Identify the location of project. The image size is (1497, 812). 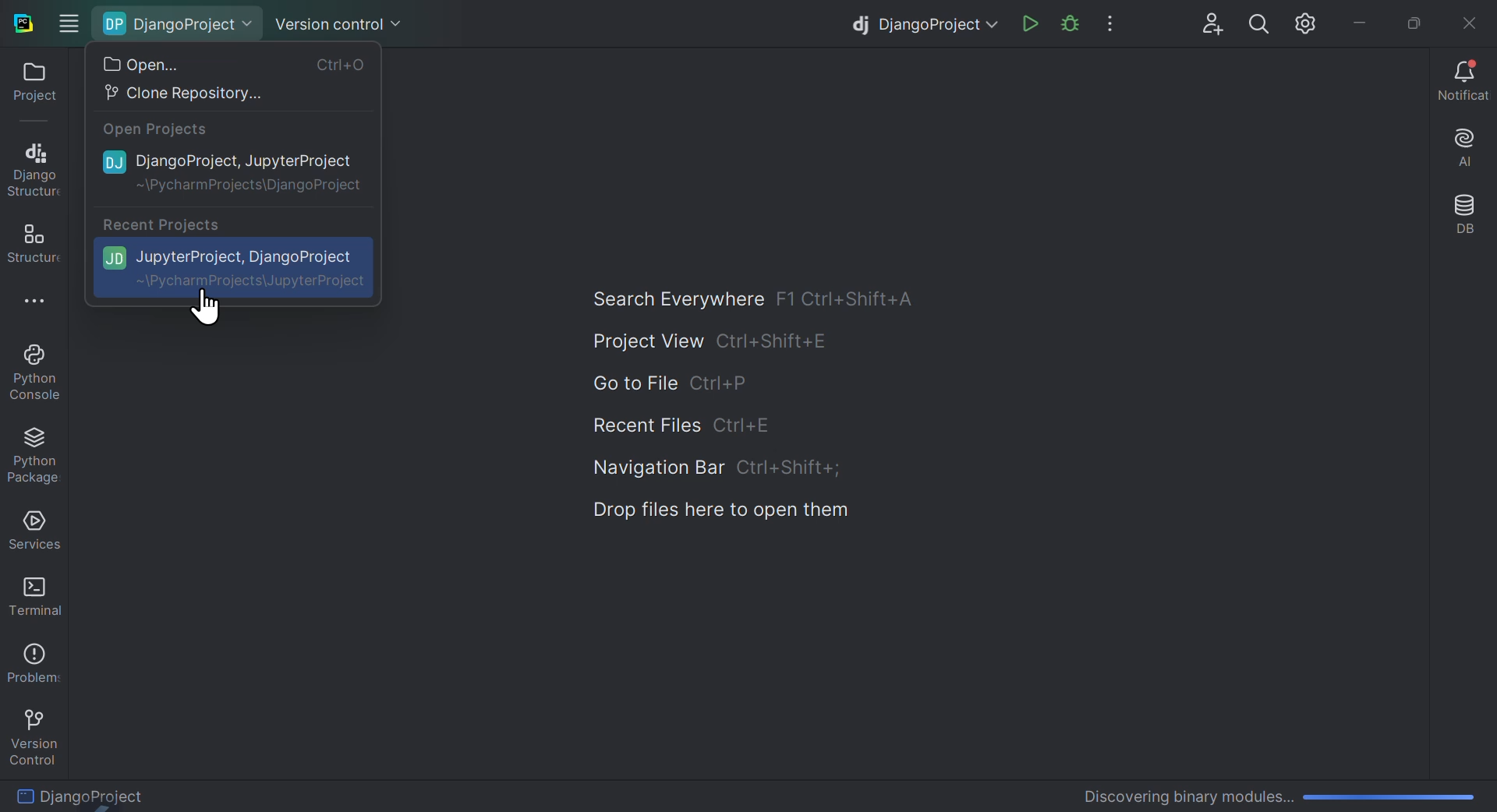
(29, 87).